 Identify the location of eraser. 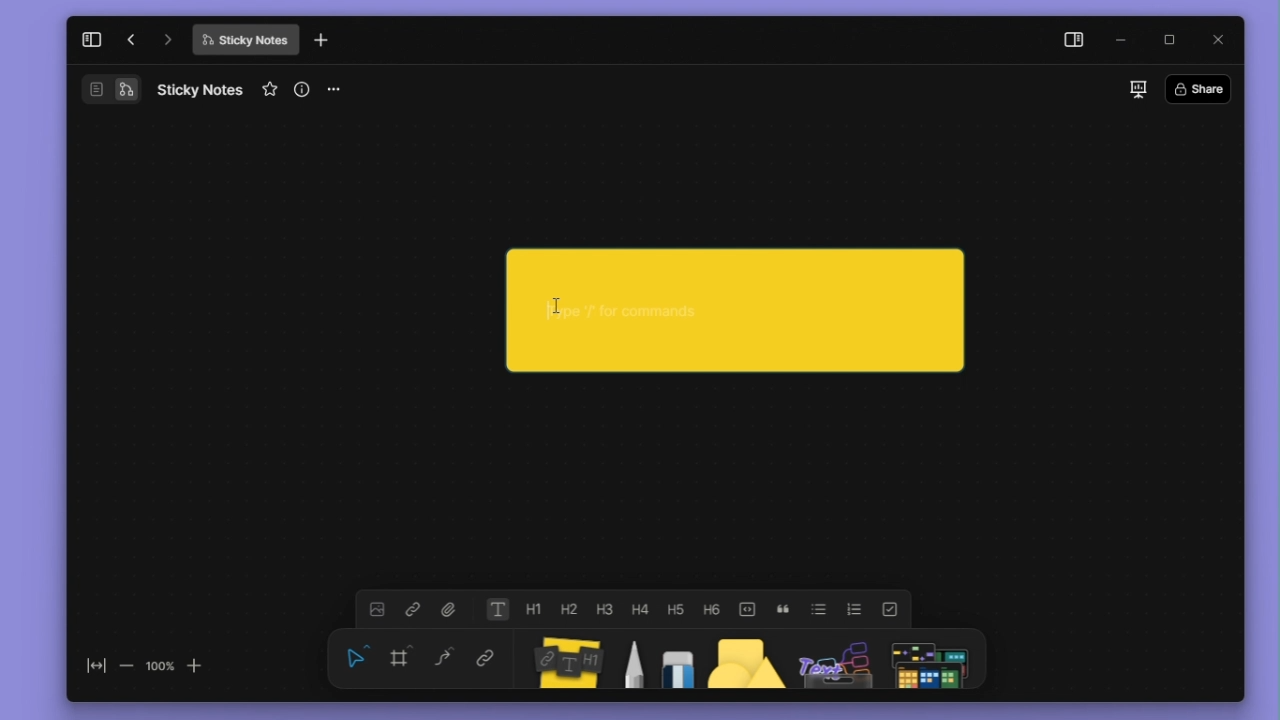
(679, 659).